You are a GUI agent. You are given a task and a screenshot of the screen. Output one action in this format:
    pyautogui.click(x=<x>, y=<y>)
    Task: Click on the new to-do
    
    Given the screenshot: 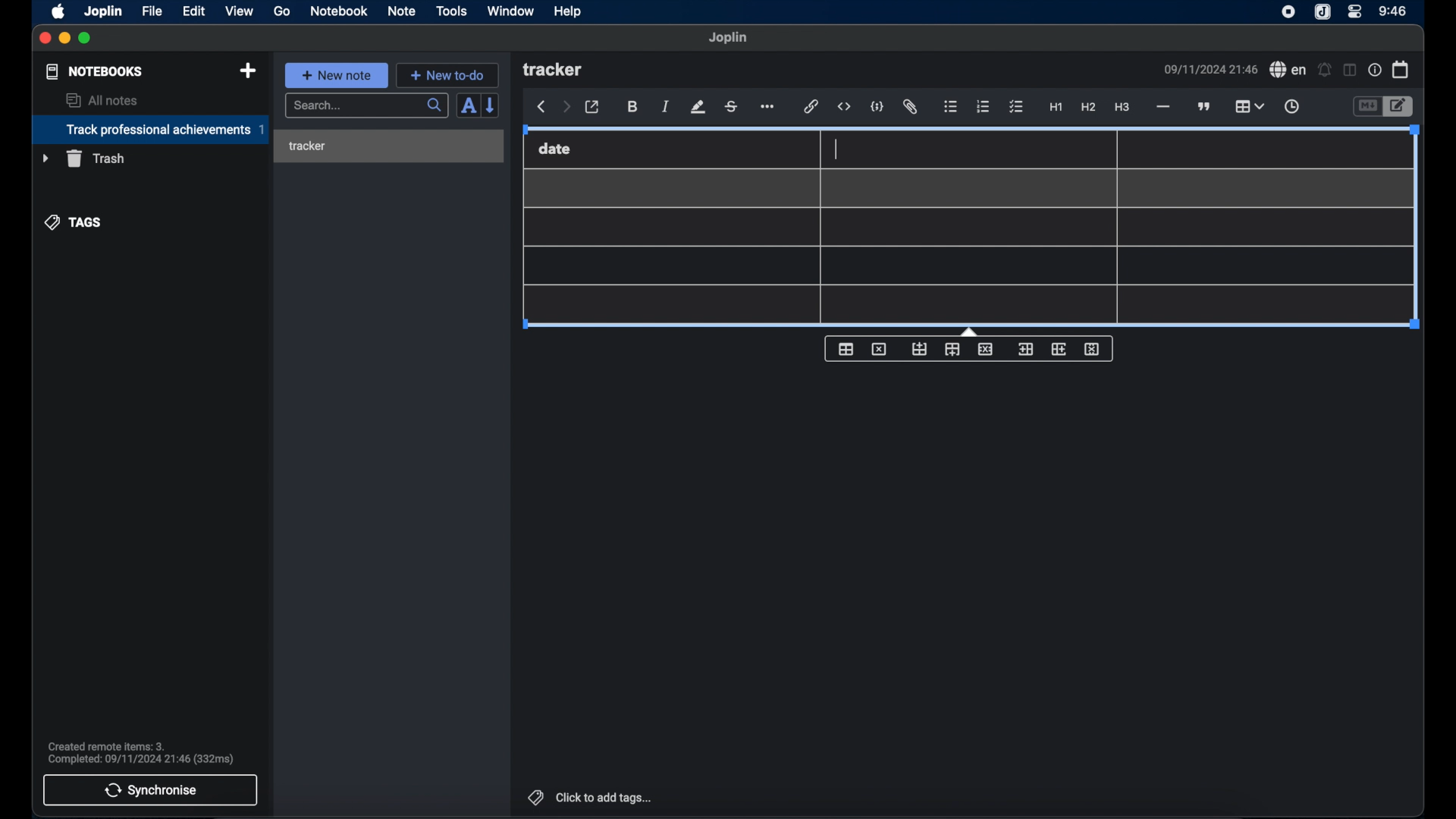 What is the action you would take?
    pyautogui.click(x=447, y=75)
    